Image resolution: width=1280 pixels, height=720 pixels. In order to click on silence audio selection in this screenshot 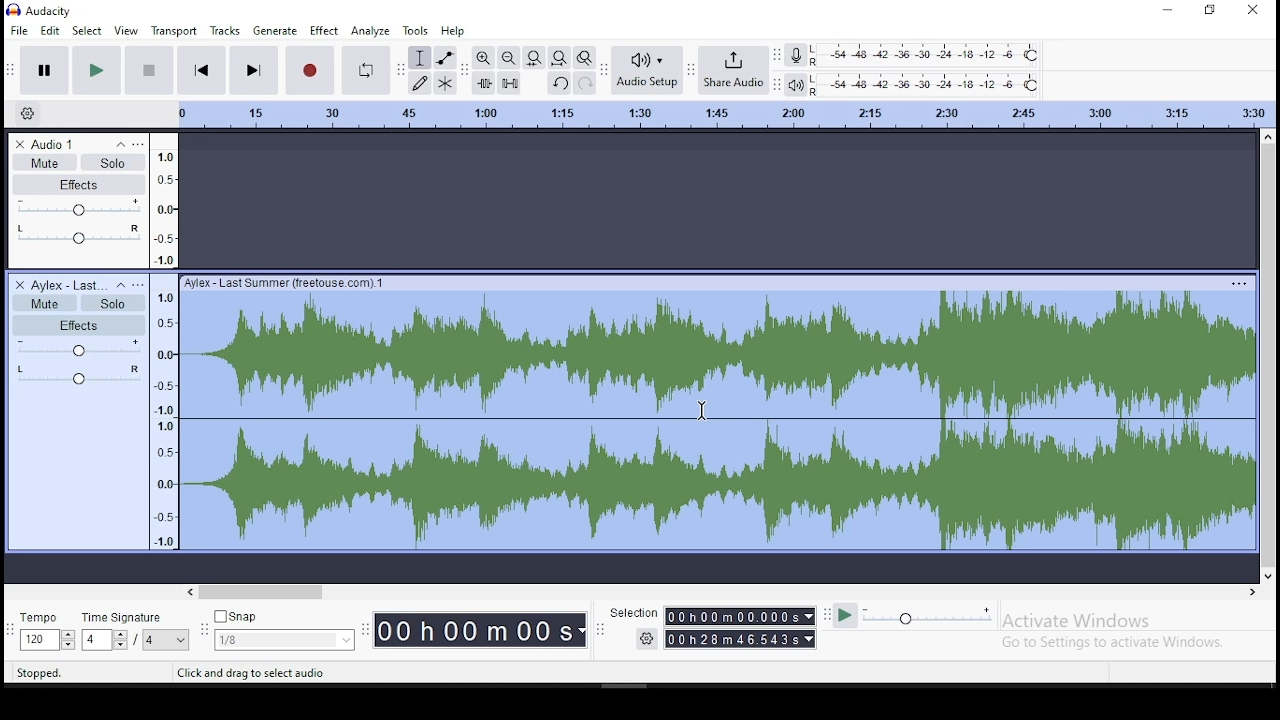, I will do `click(510, 83)`.